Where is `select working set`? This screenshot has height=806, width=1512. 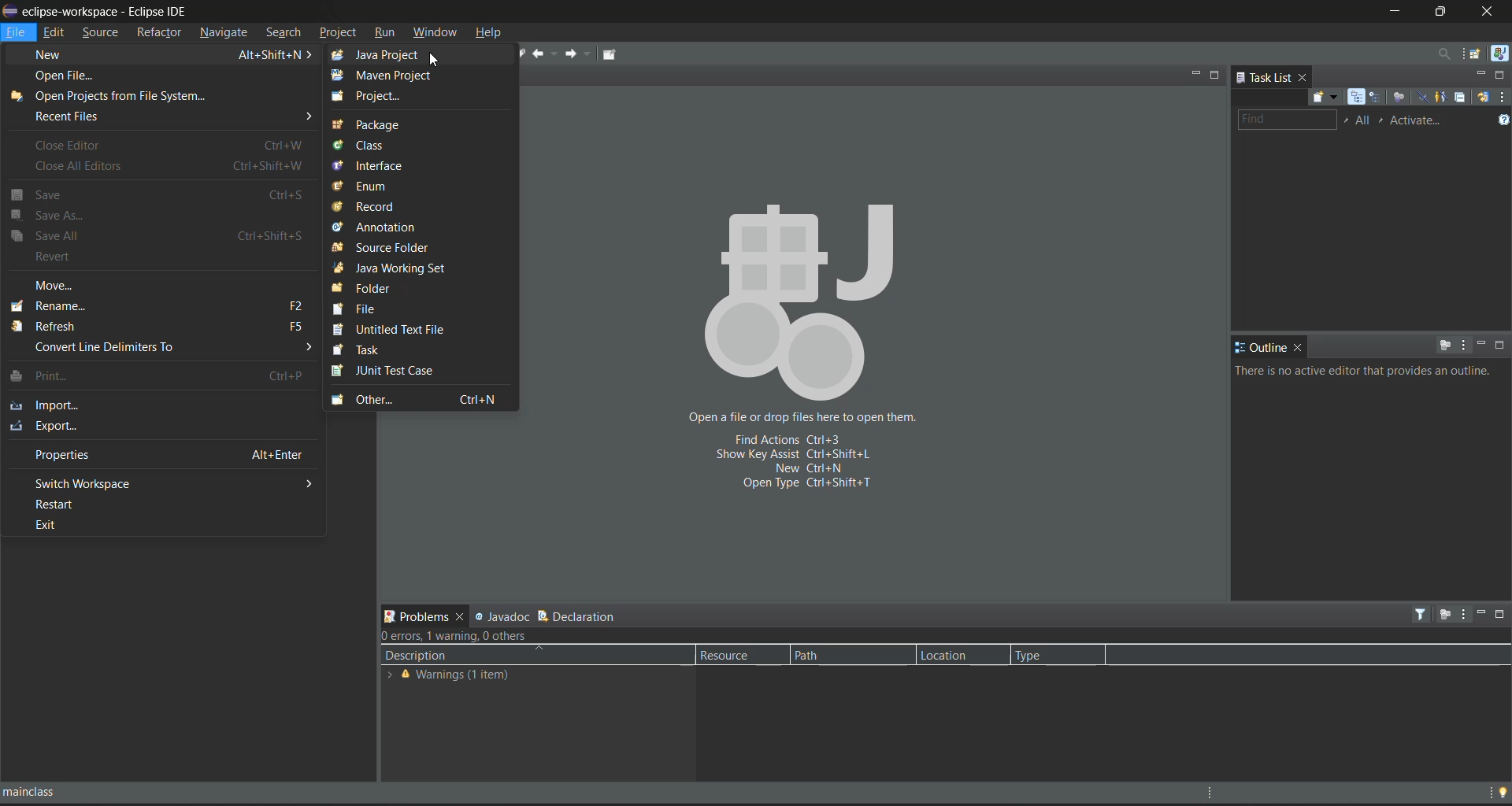 select working set is located at coordinates (1346, 120).